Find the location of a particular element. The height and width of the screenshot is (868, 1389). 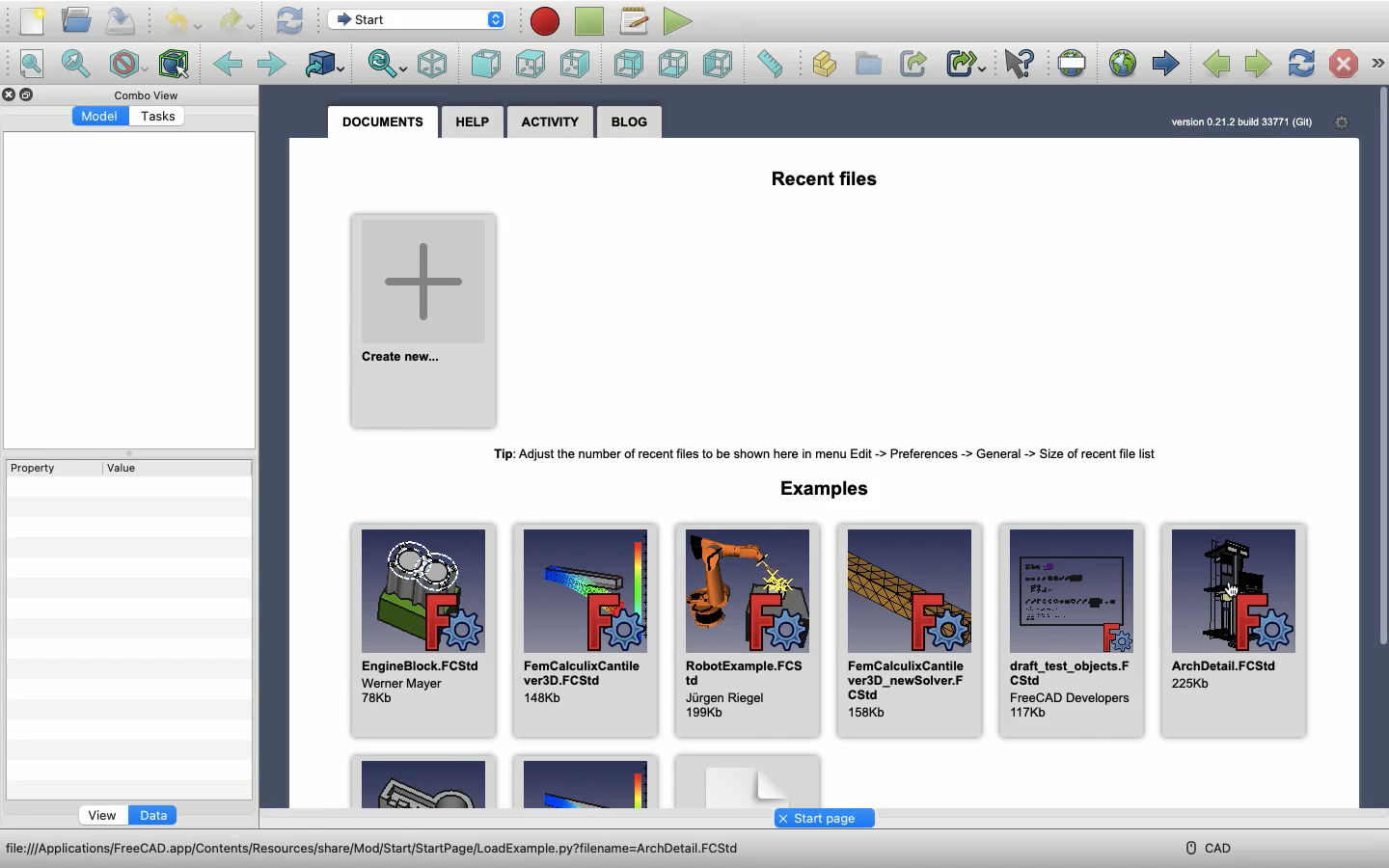

New is located at coordinates (34, 20).